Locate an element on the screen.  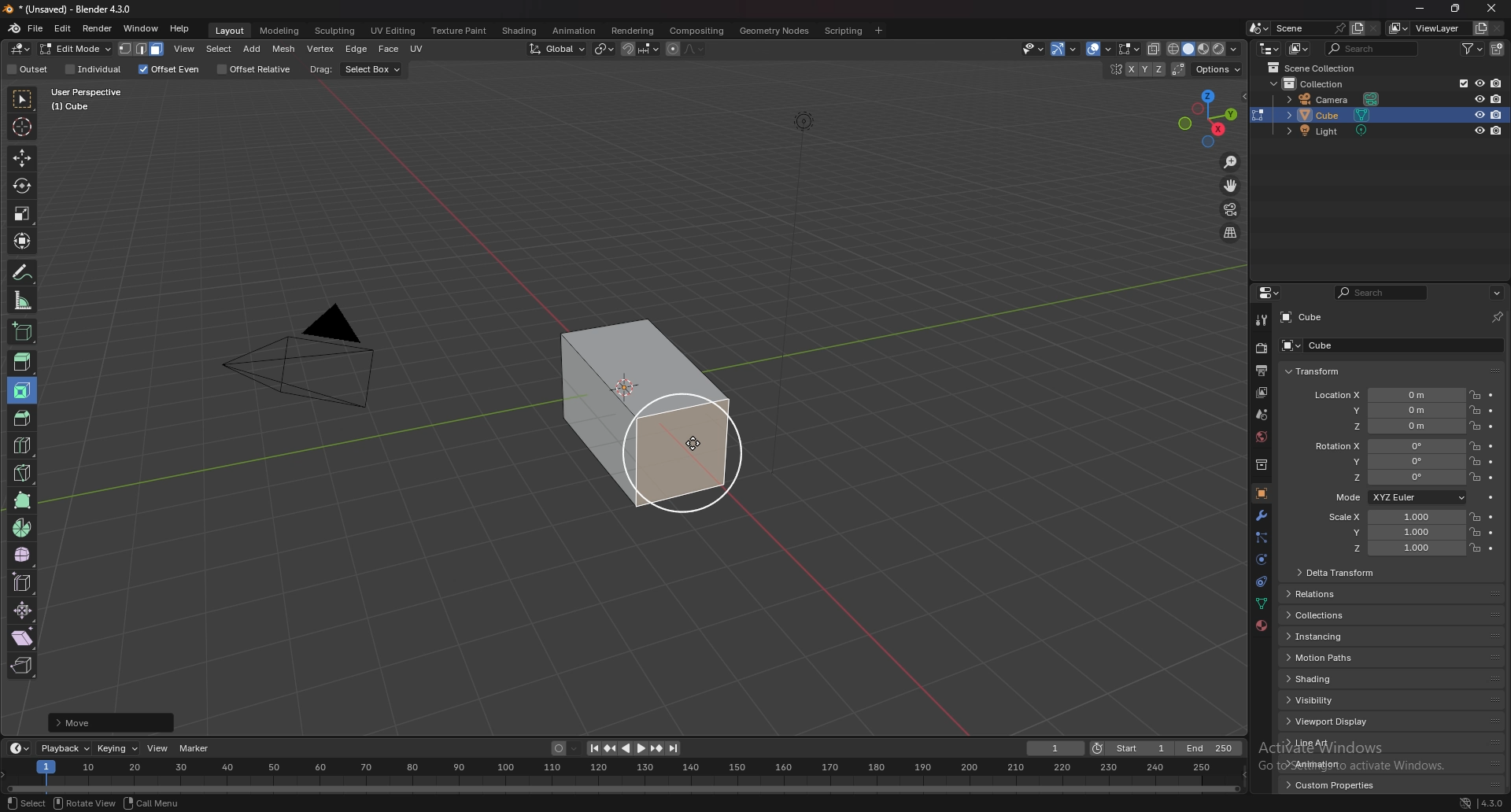
transform pivot point is located at coordinates (604, 49).